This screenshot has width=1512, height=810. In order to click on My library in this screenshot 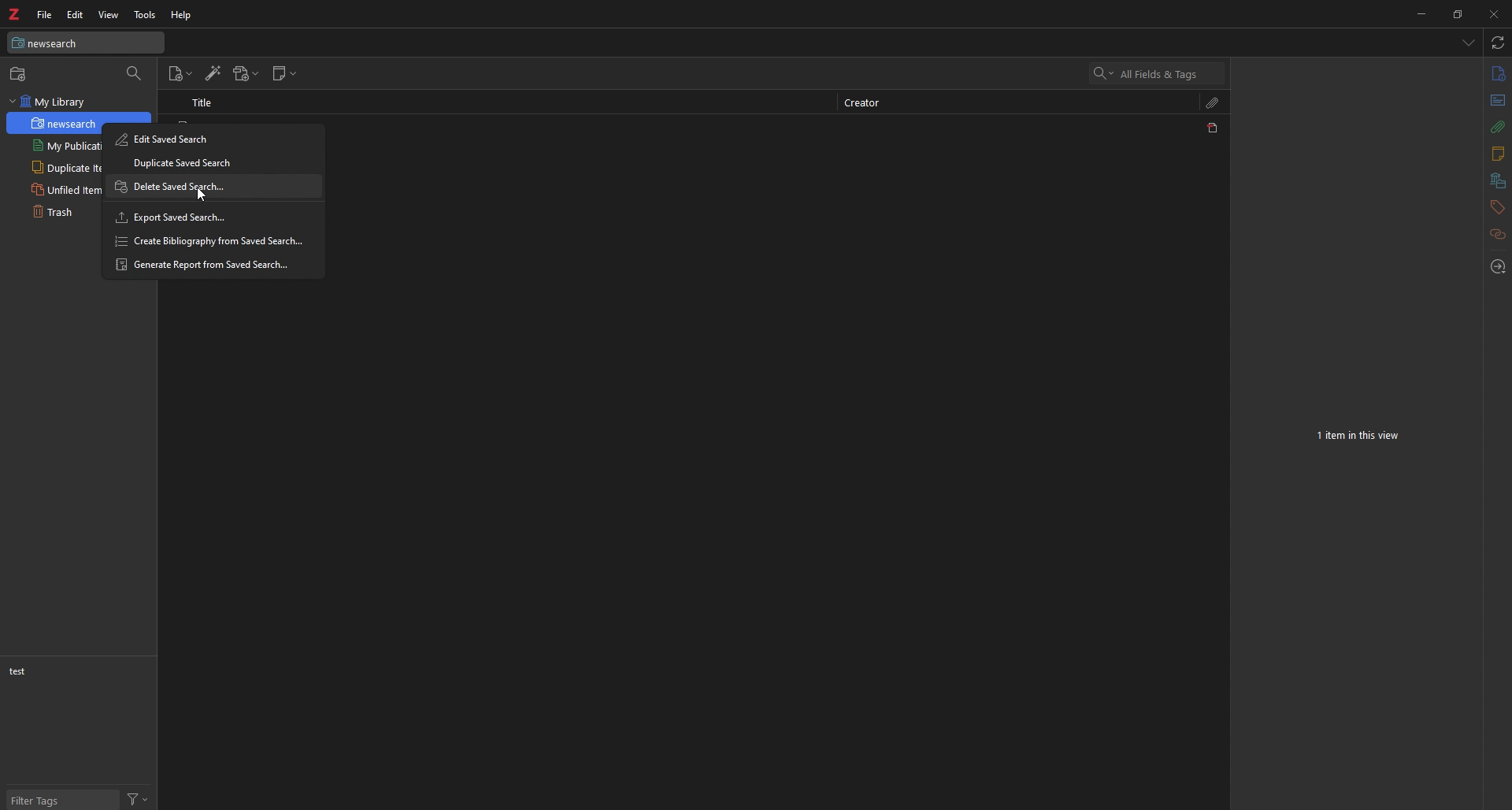, I will do `click(49, 101)`.